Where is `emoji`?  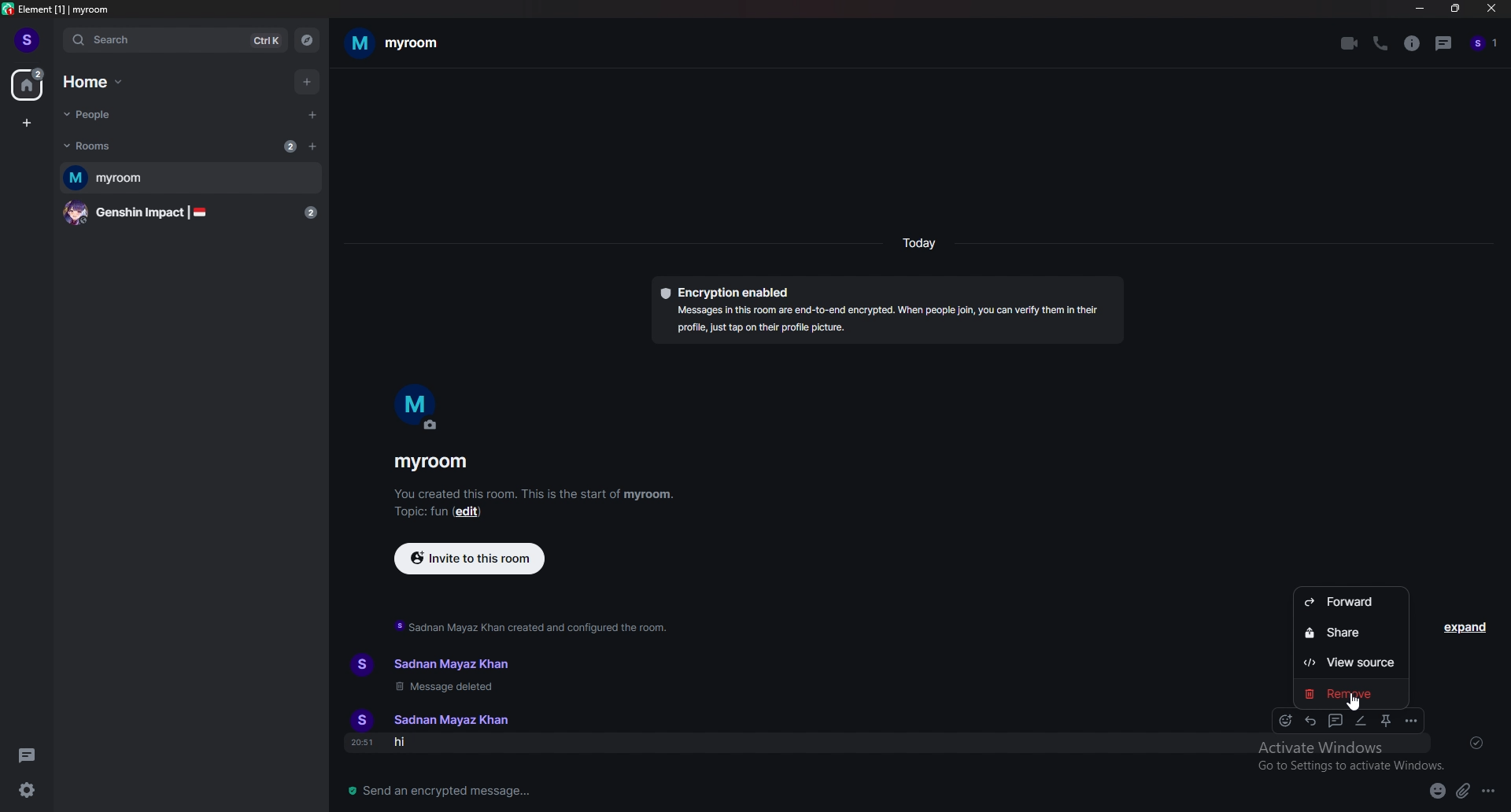 emoji is located at coordinates (1436, 792).